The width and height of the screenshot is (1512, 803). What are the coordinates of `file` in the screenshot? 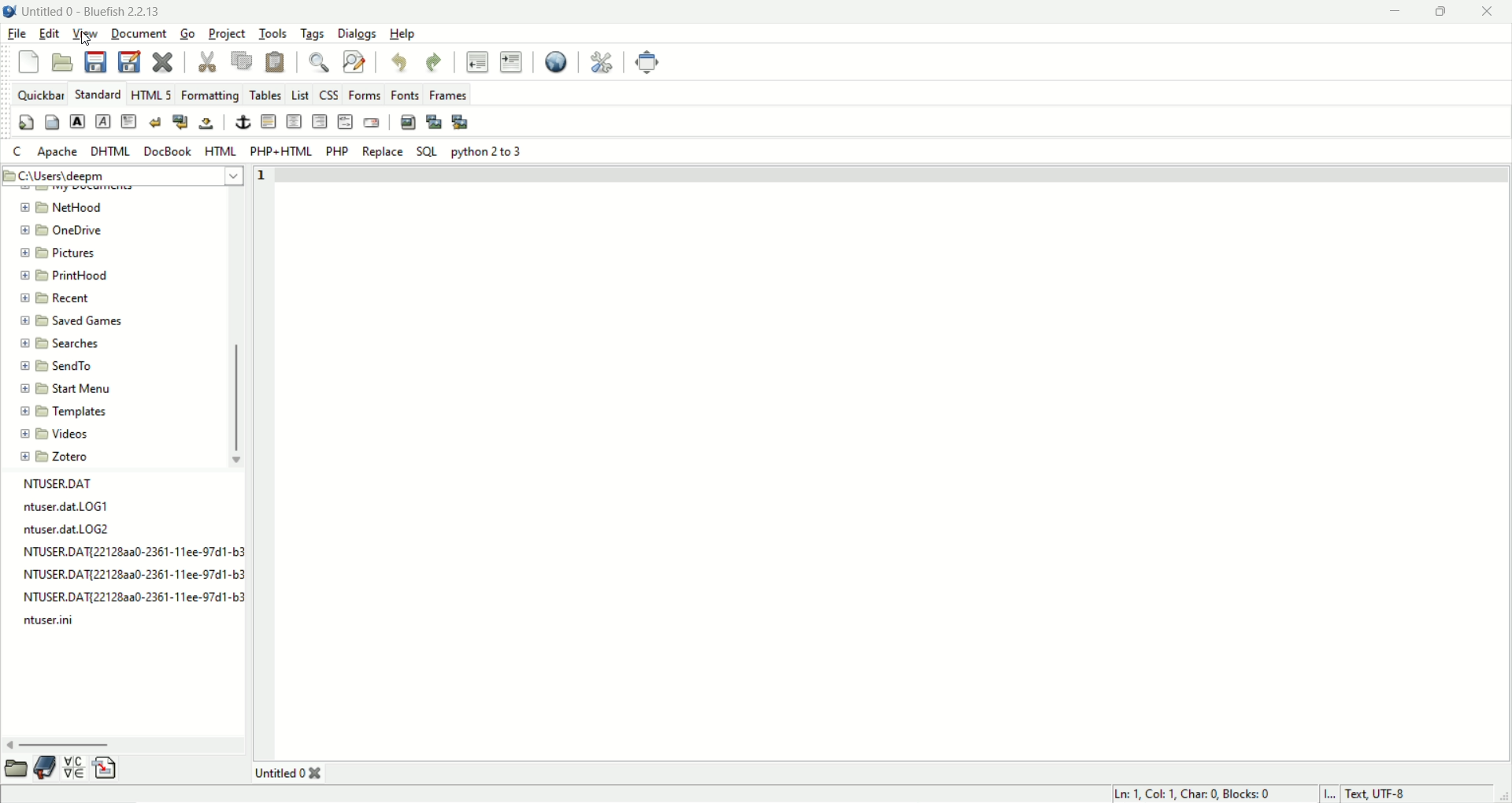 It's located at (76, 483).